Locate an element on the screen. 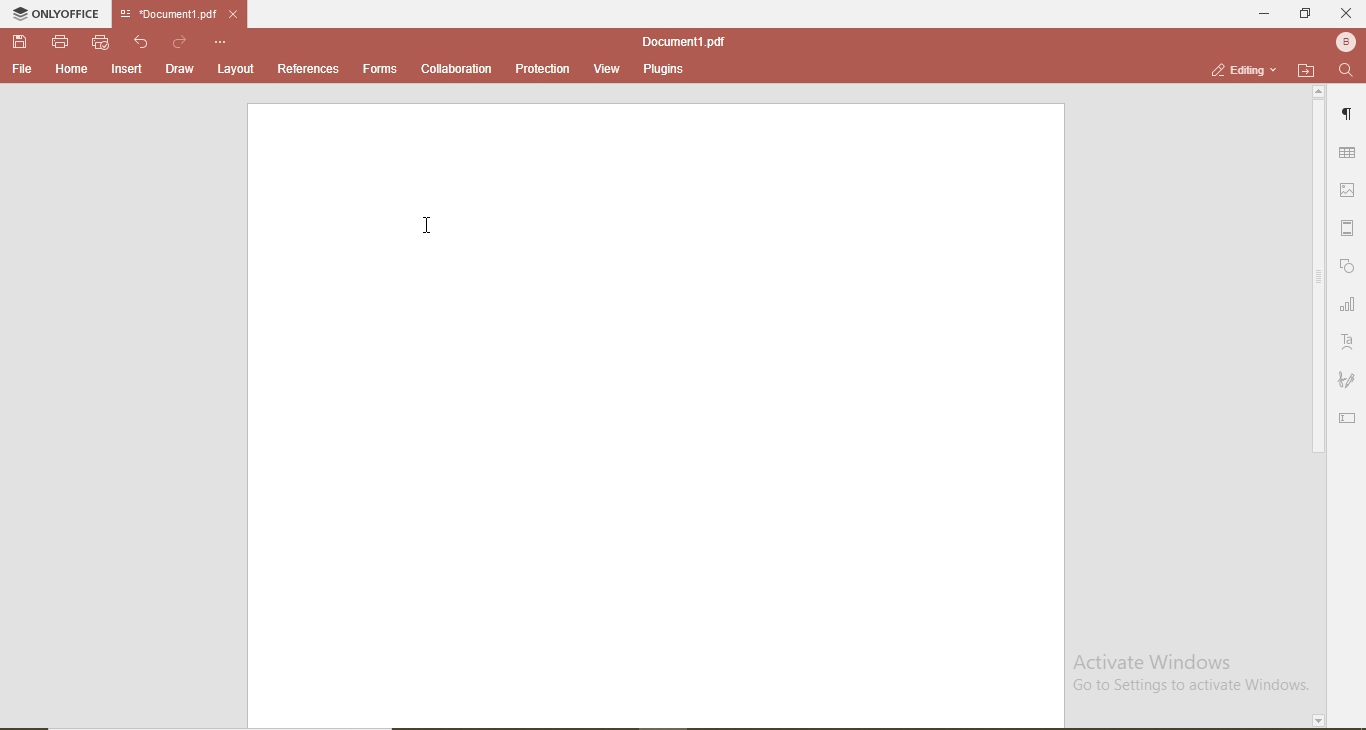 The height and width of the screenshot is (730, 1366). paragraph is located at coordinates (1350, 109).